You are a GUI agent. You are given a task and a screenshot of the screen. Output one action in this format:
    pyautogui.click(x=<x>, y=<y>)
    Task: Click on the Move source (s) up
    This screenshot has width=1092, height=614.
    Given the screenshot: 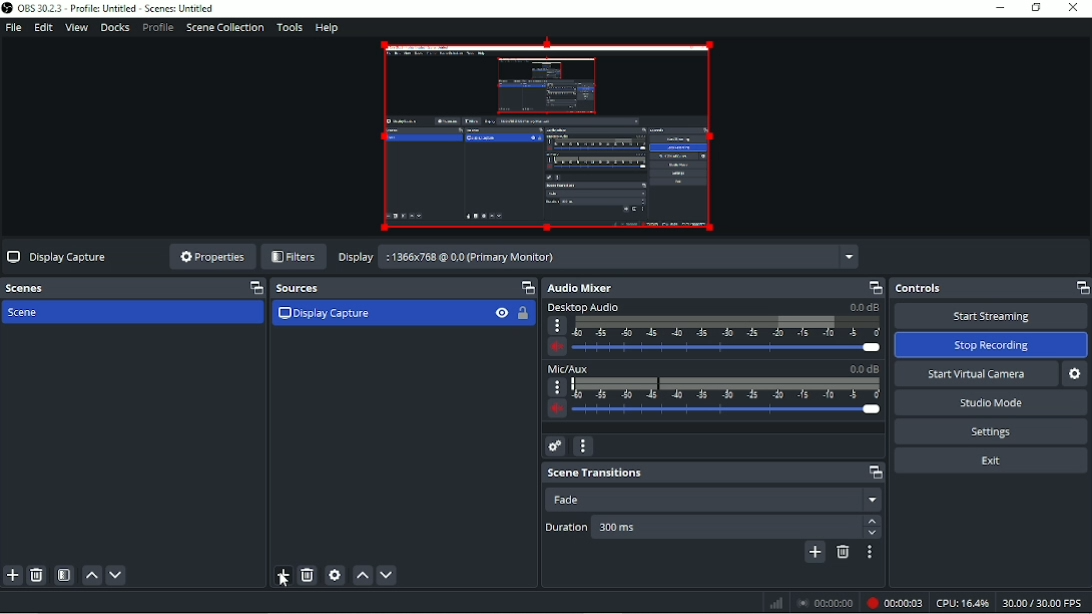 What is the action you would take?
    pyautogui.click(x=363, y=576)
    